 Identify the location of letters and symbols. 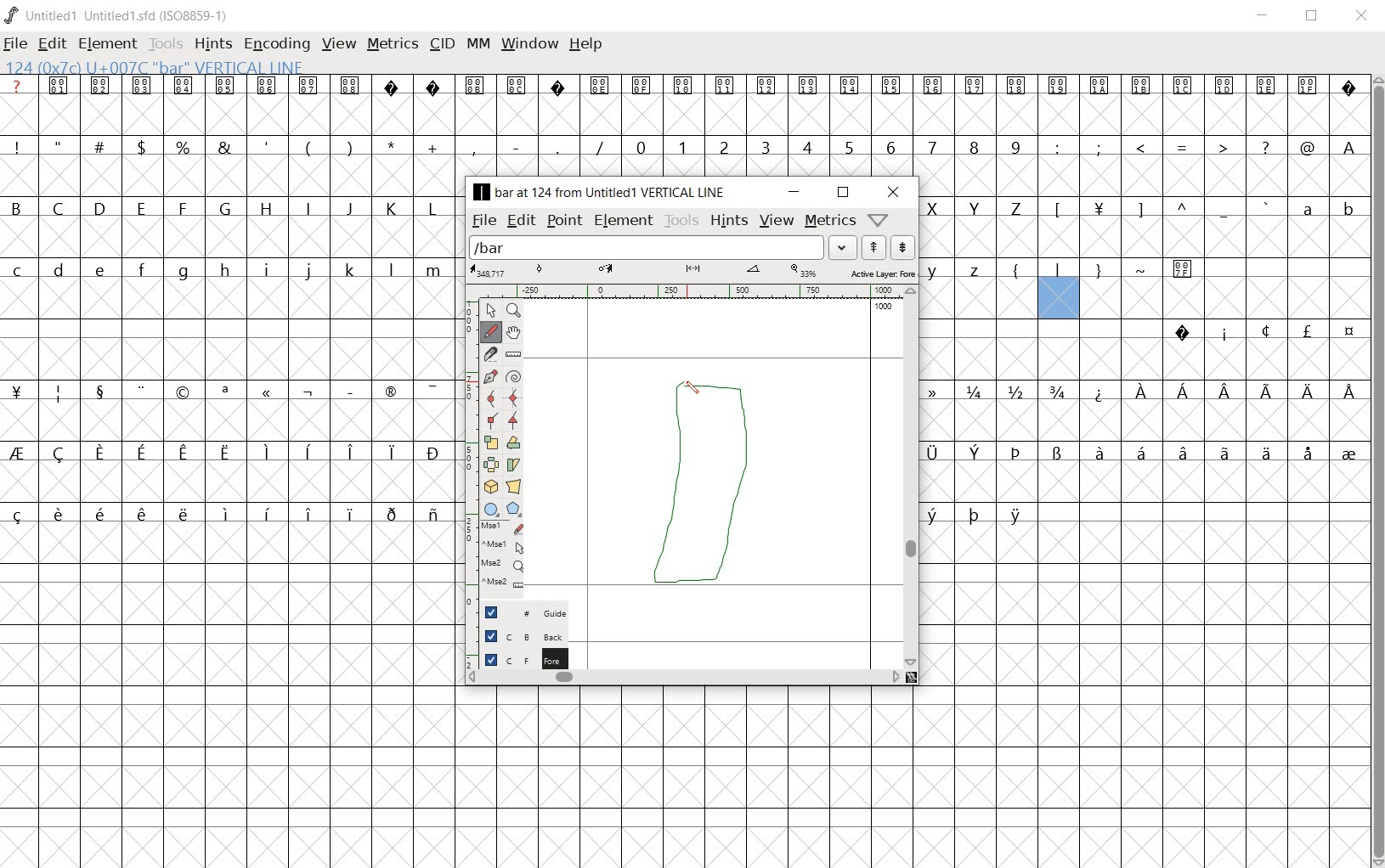
(227, 207).